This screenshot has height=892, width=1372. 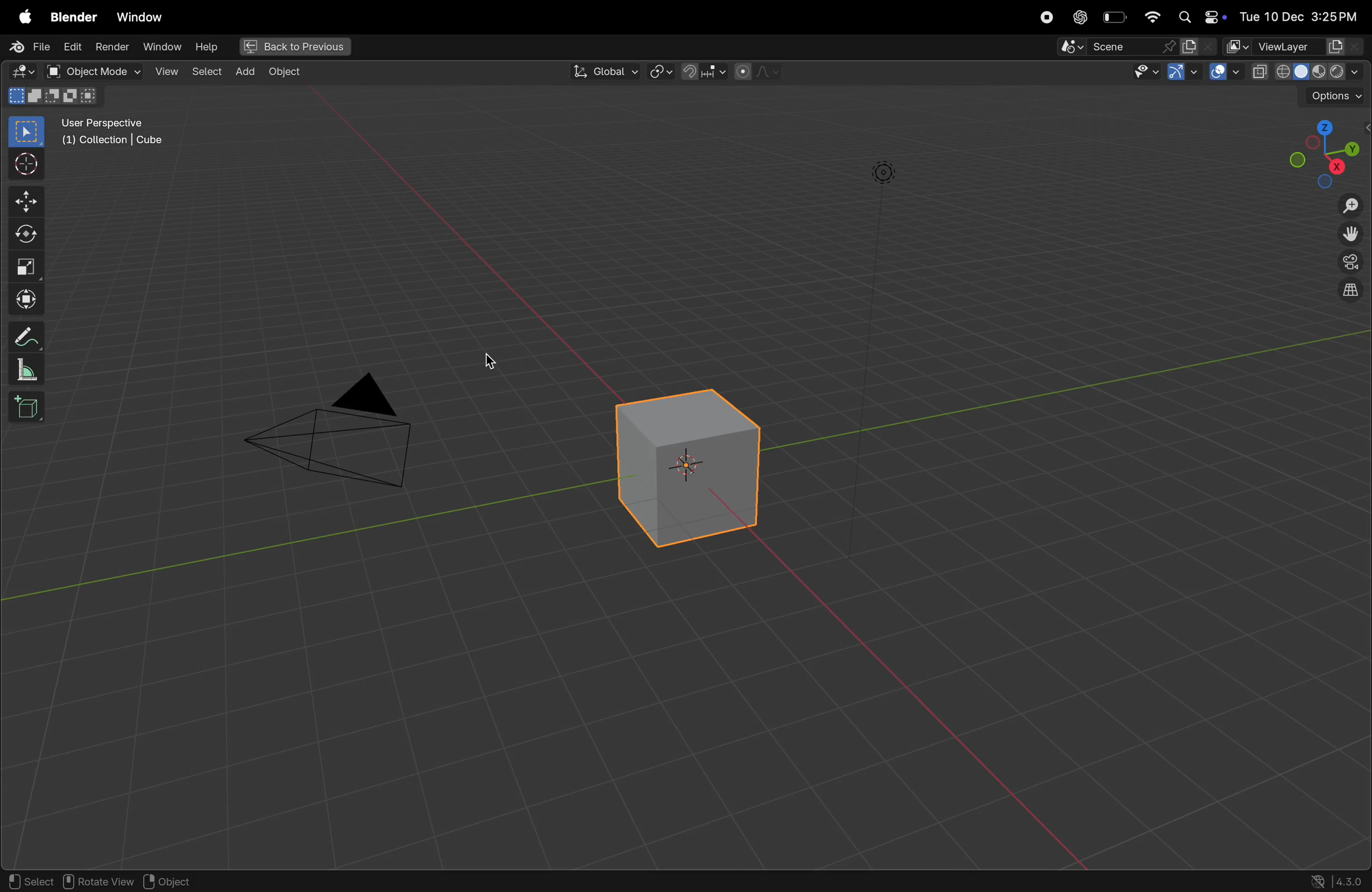 What do you see at coordinates (284, 75) in the screenshot?
I see `Object` at bounding box center [284, 75].